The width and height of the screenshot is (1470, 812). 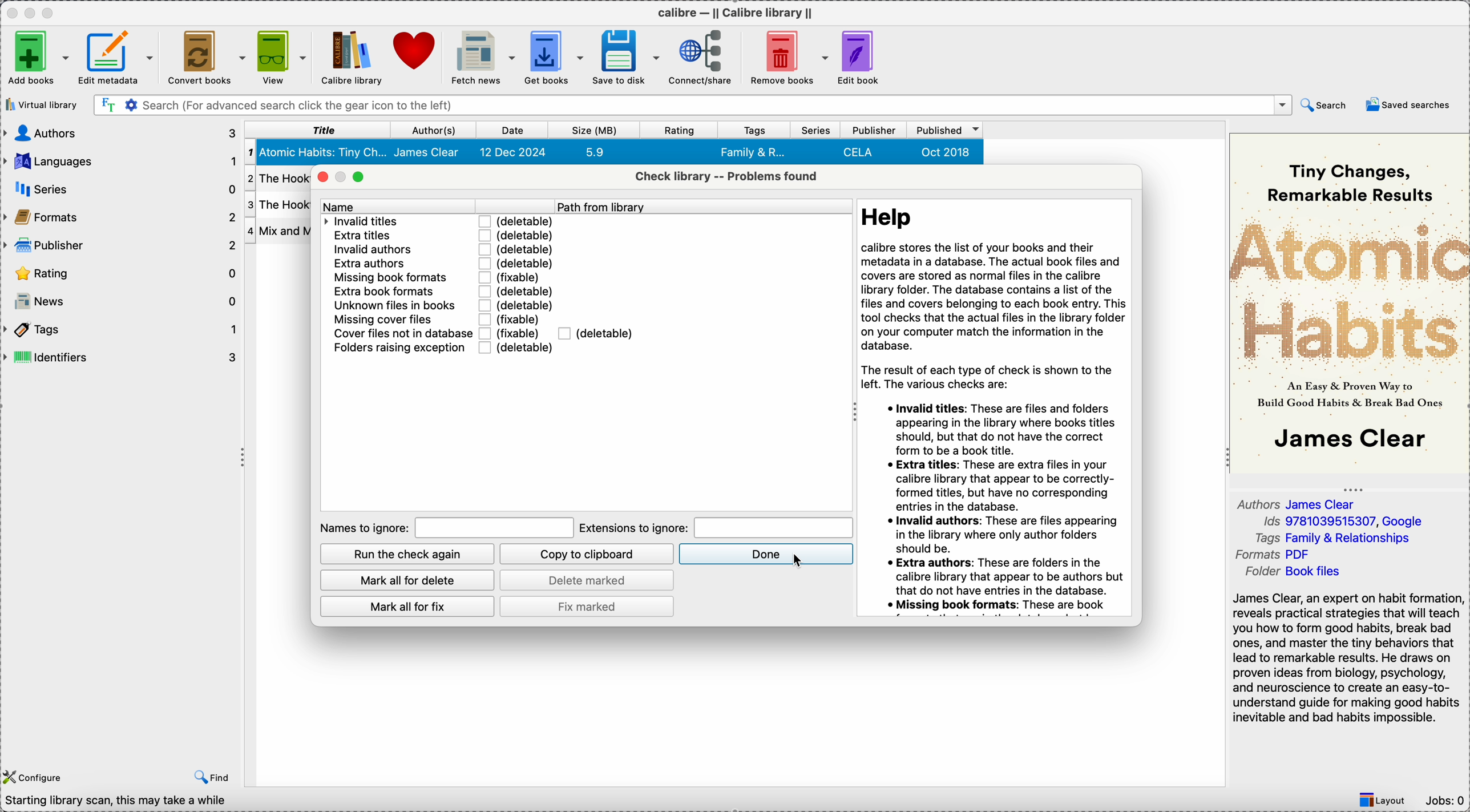 I want to click on options, so click(x=1282, y=106).